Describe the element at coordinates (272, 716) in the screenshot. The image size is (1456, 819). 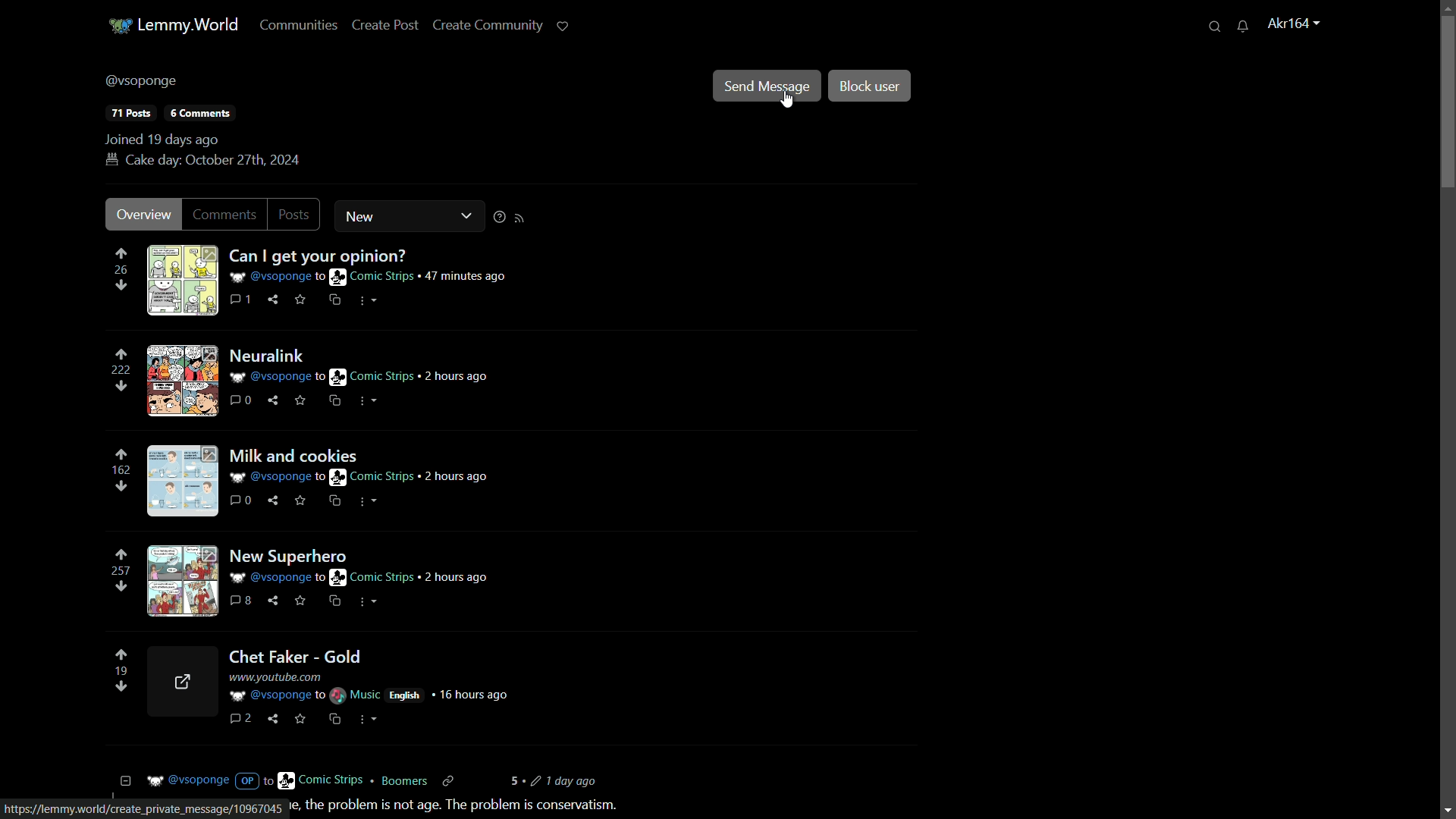
I see `share` at that location.